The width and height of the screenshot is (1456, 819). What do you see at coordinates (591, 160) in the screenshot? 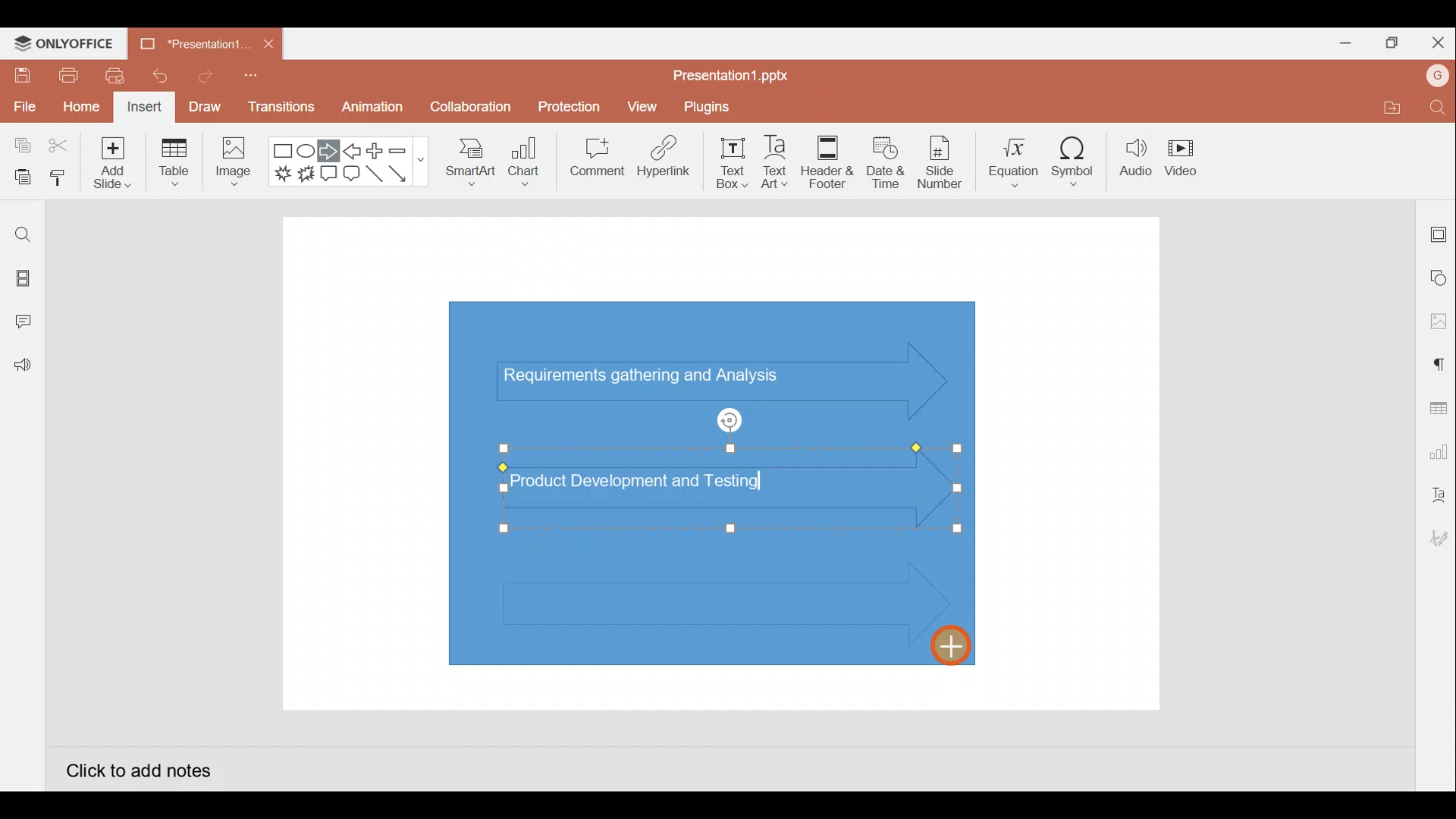
I see `Comment` at bounding box center [591, 160].